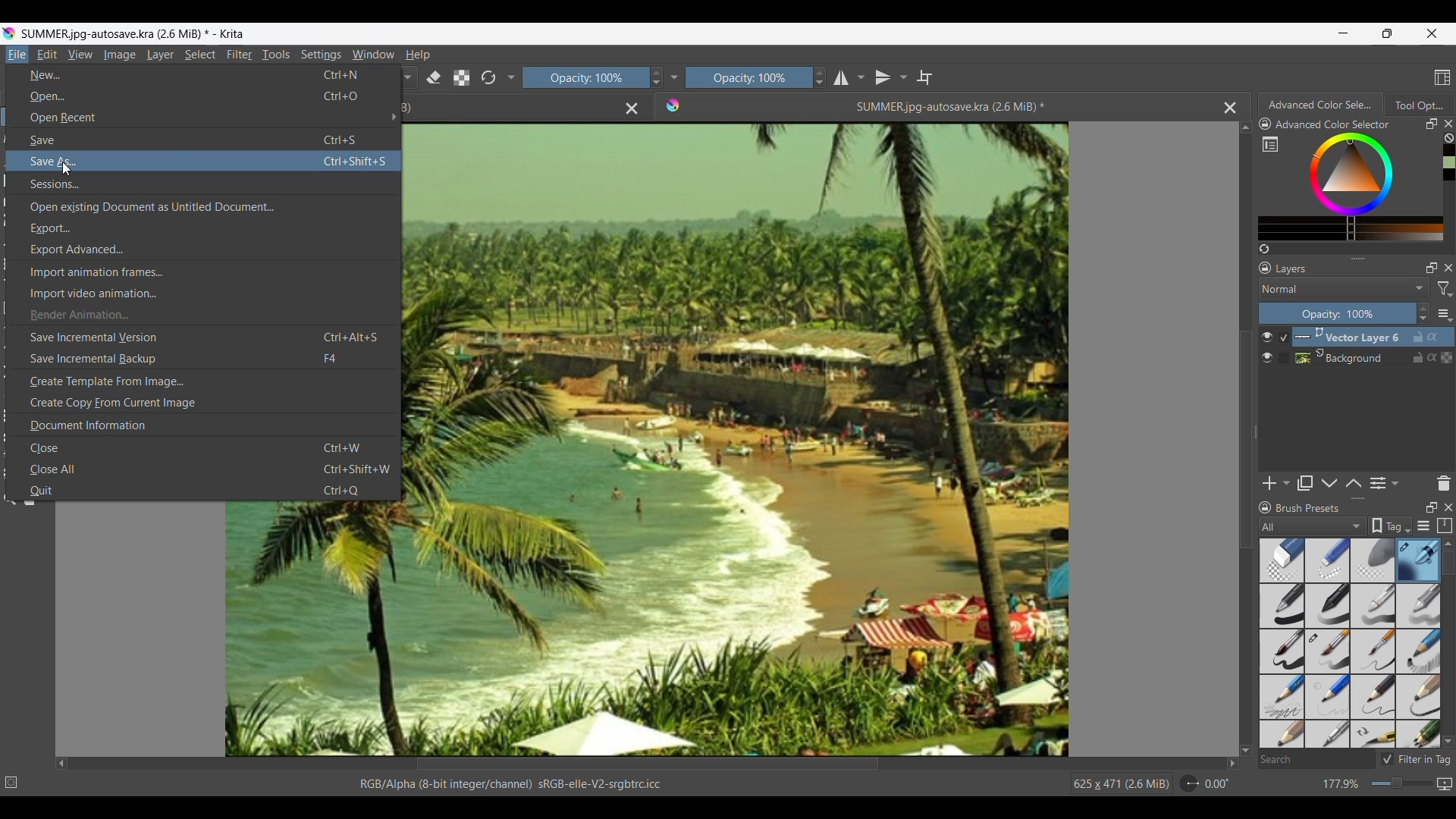 The image size is (1456, 819). Describe the element at coordinates (1442, 77) in the screenshot. I see `Choose workspace` at that location.